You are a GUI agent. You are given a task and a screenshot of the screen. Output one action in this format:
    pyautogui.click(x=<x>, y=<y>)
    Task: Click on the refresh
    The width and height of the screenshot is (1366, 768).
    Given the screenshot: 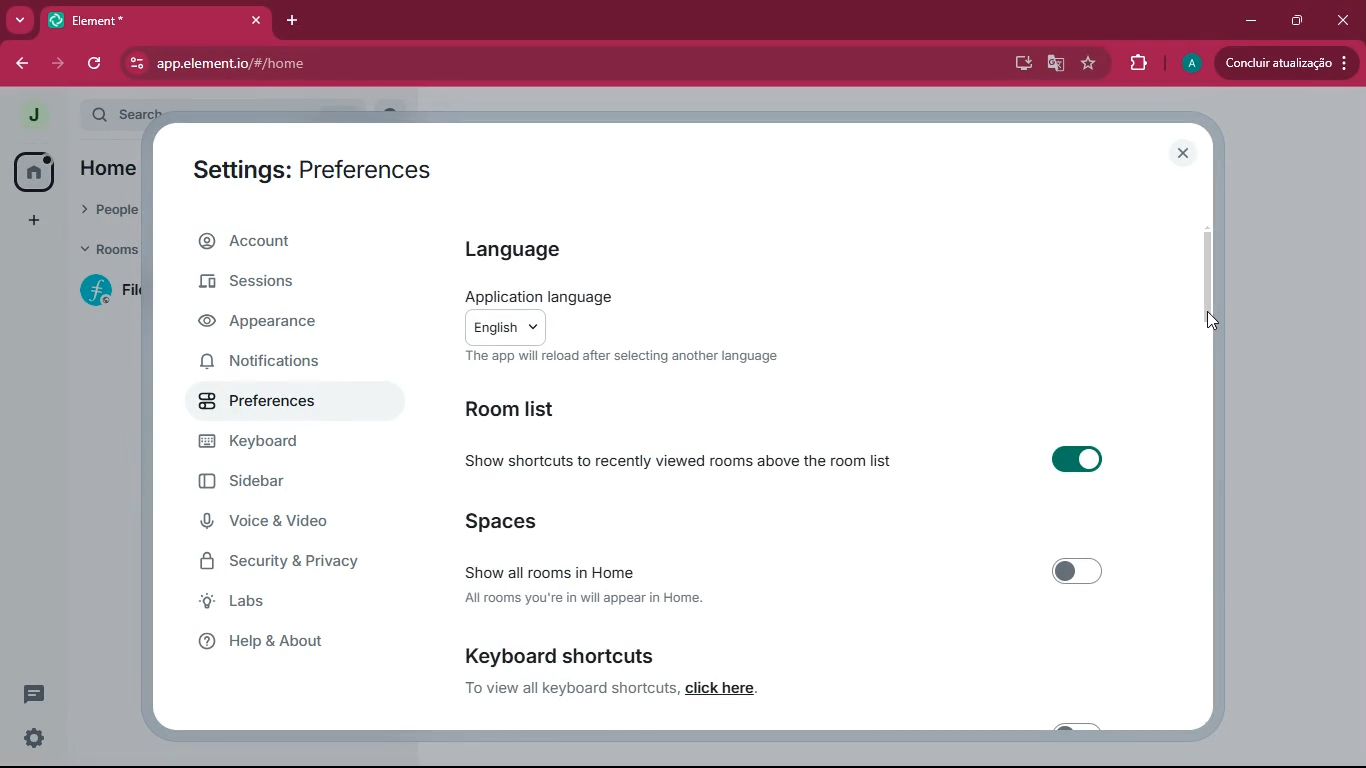 What is the action you would take?
    pyautogui.click(x=96, y=64)
    